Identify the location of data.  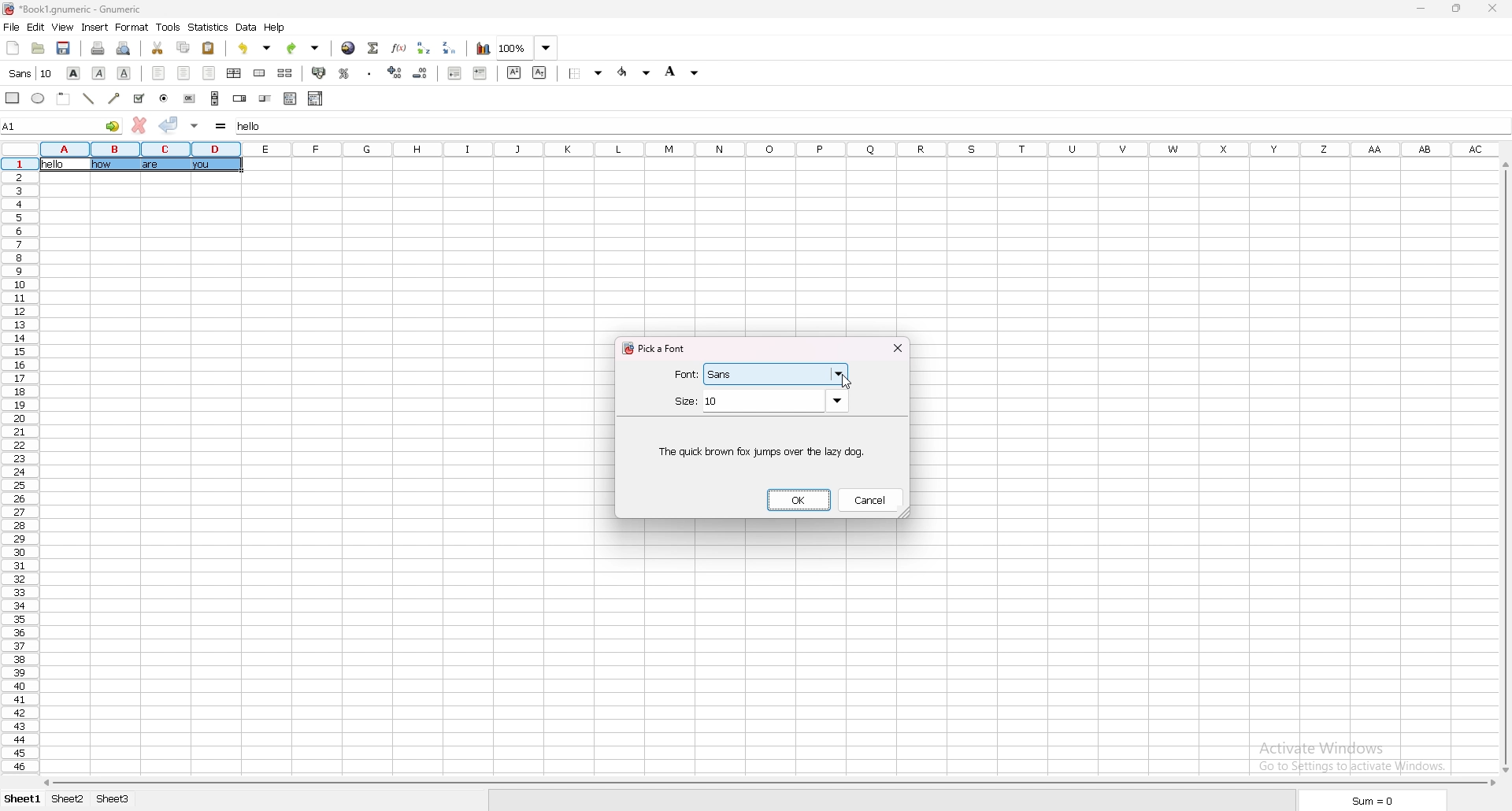
(246, 28).